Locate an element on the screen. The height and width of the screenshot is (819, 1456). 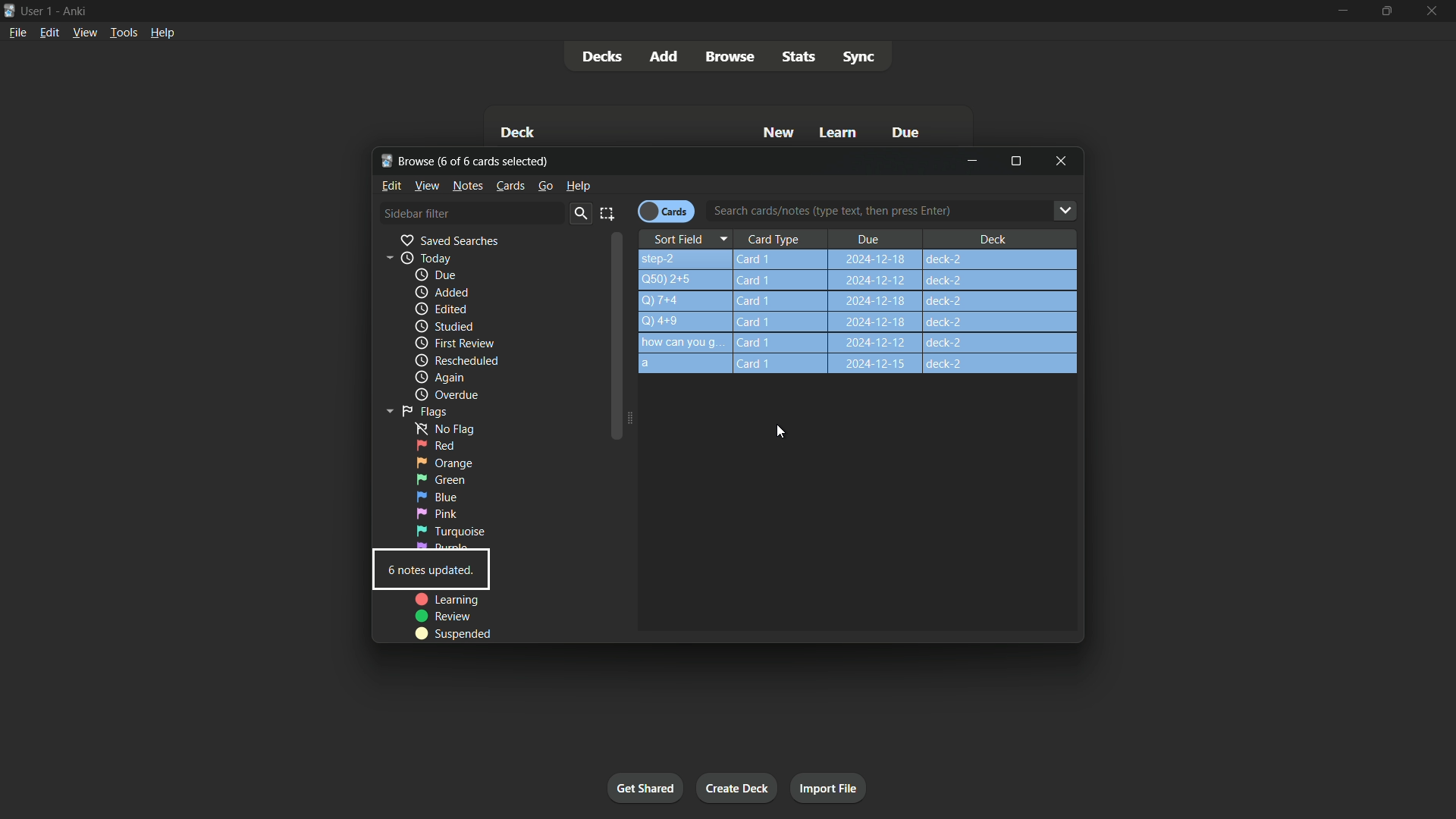
stats is located at coordinates (802, 55).